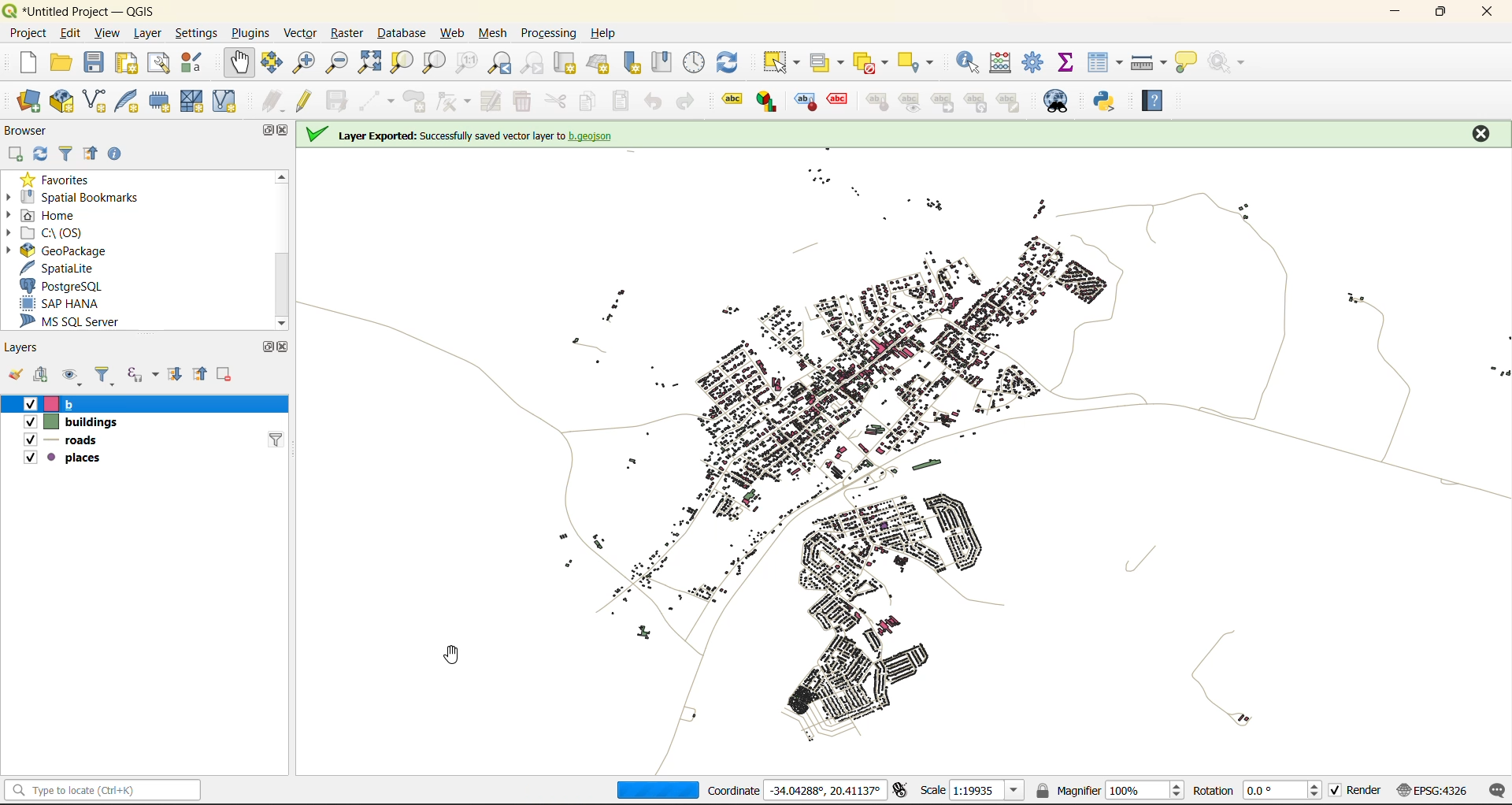 This screenshot has height=805, width=1512. I want to click on add, so click(18, 152).